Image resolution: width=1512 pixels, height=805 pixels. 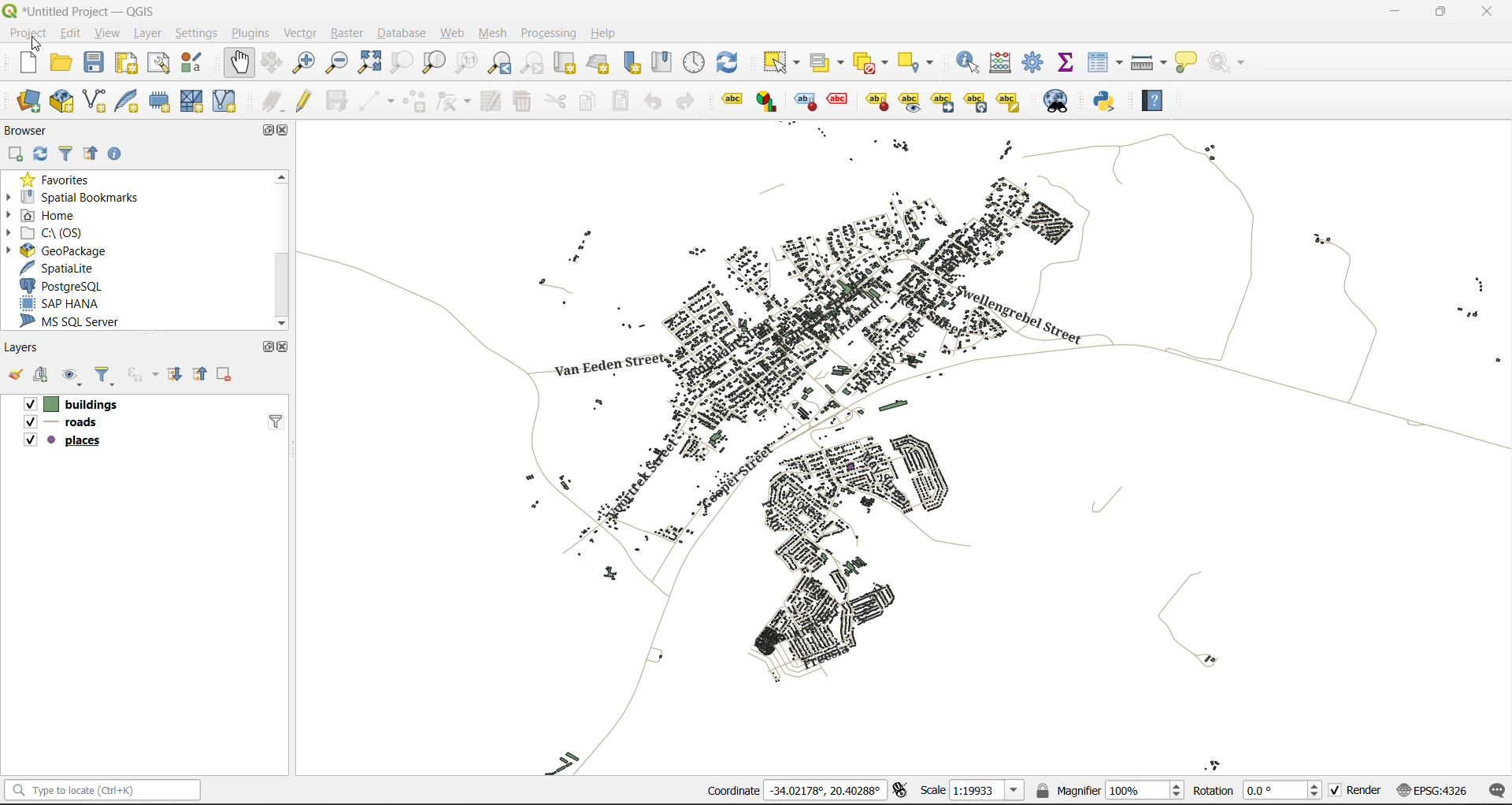 I want to click on modify, so click(x=487, y=101).